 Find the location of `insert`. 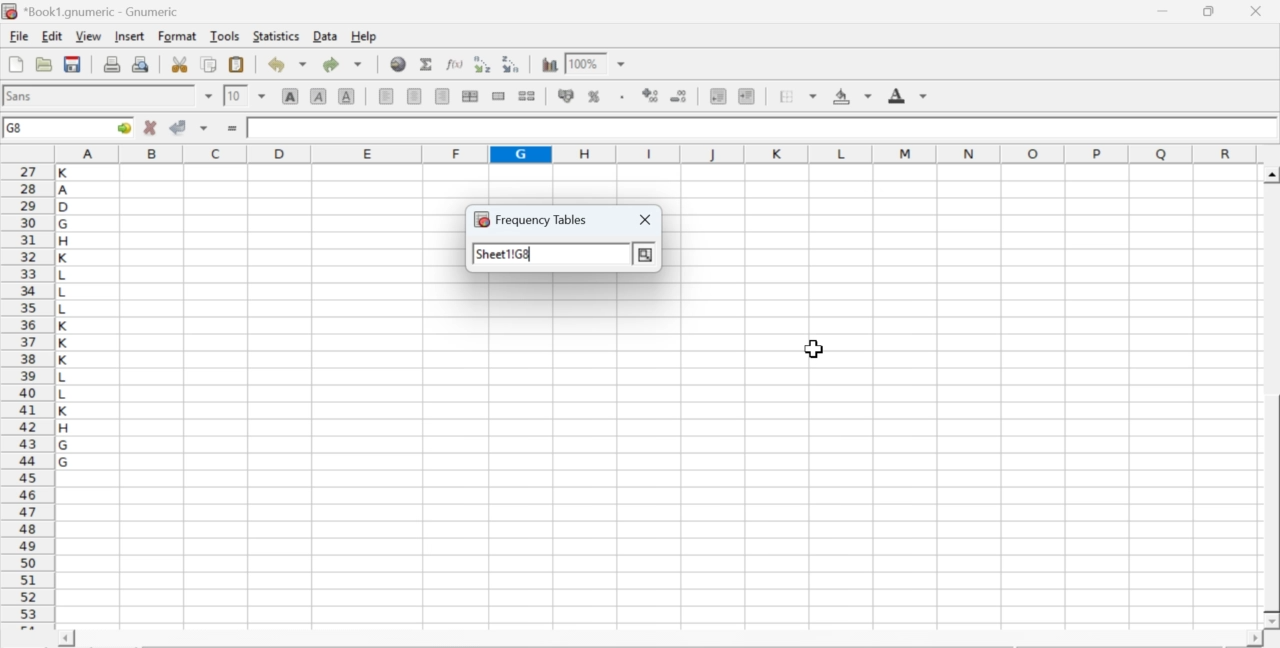

insert is located at coordinates (128, 35).